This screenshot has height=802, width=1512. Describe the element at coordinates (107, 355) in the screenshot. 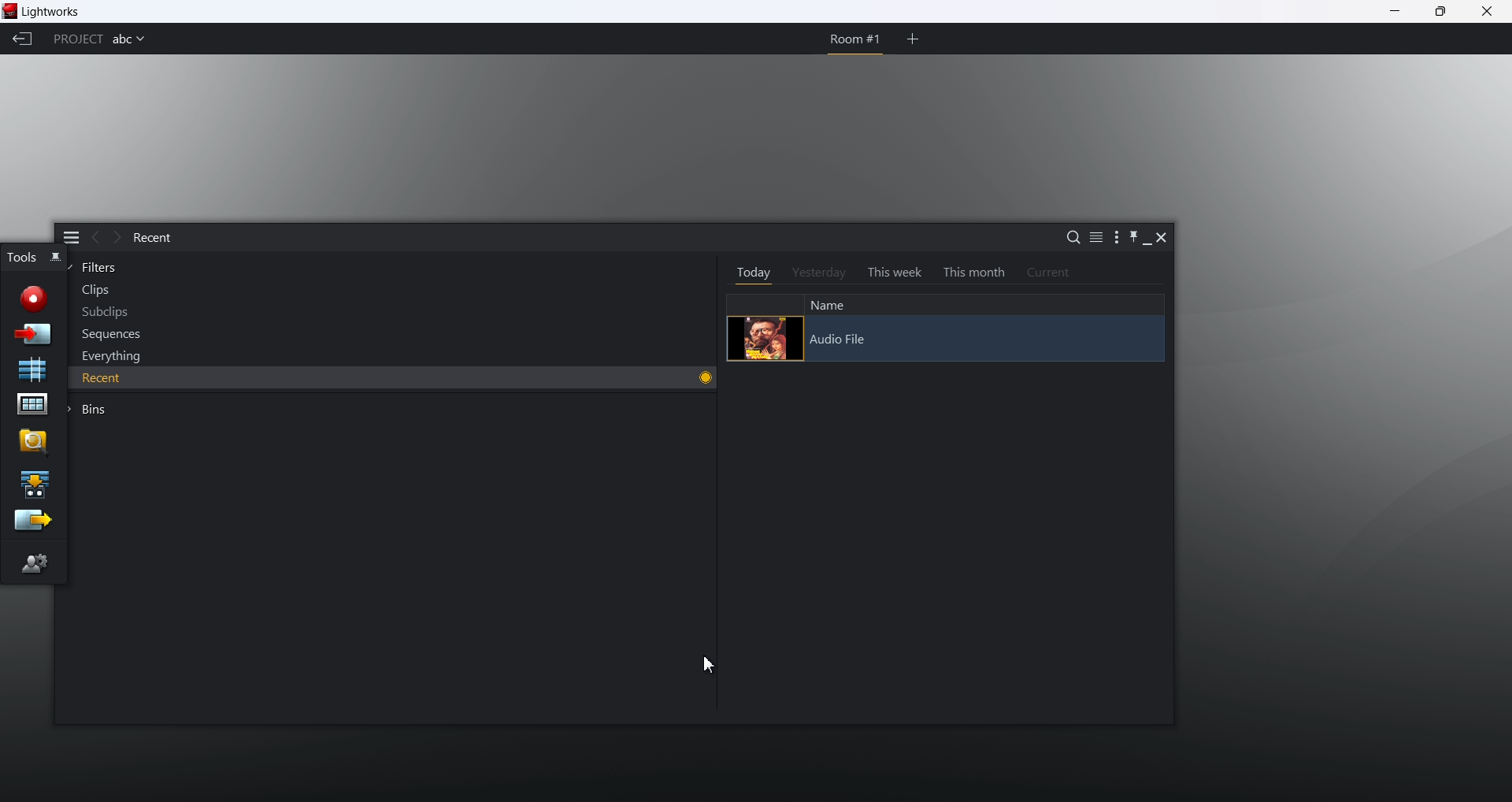

I see `everything` at that location.